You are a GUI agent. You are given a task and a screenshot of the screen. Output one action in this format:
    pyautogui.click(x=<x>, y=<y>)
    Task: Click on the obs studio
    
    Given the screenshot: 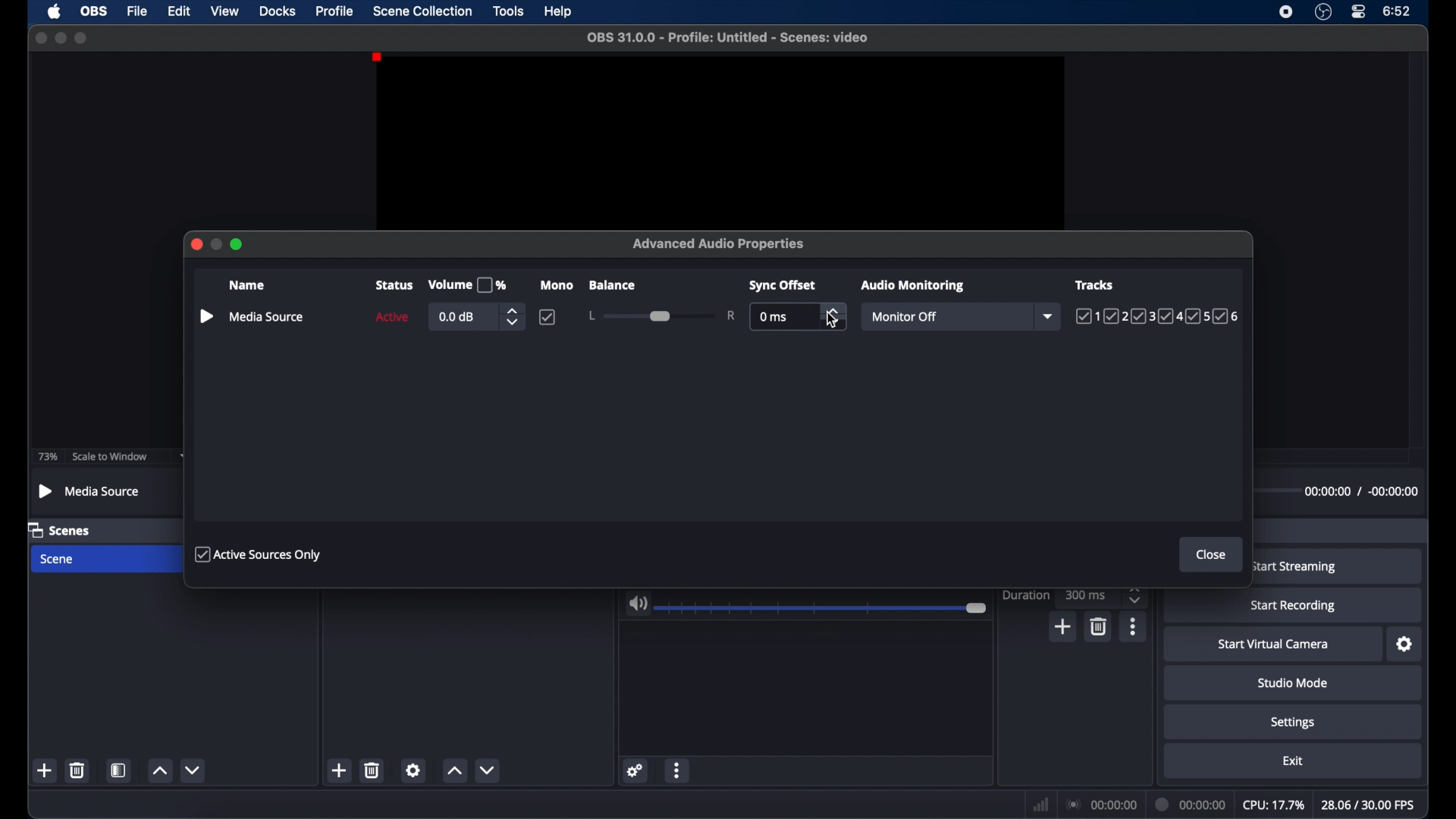 What is the action you would take?
    pyautogui.click(x=1323, y=11)
    